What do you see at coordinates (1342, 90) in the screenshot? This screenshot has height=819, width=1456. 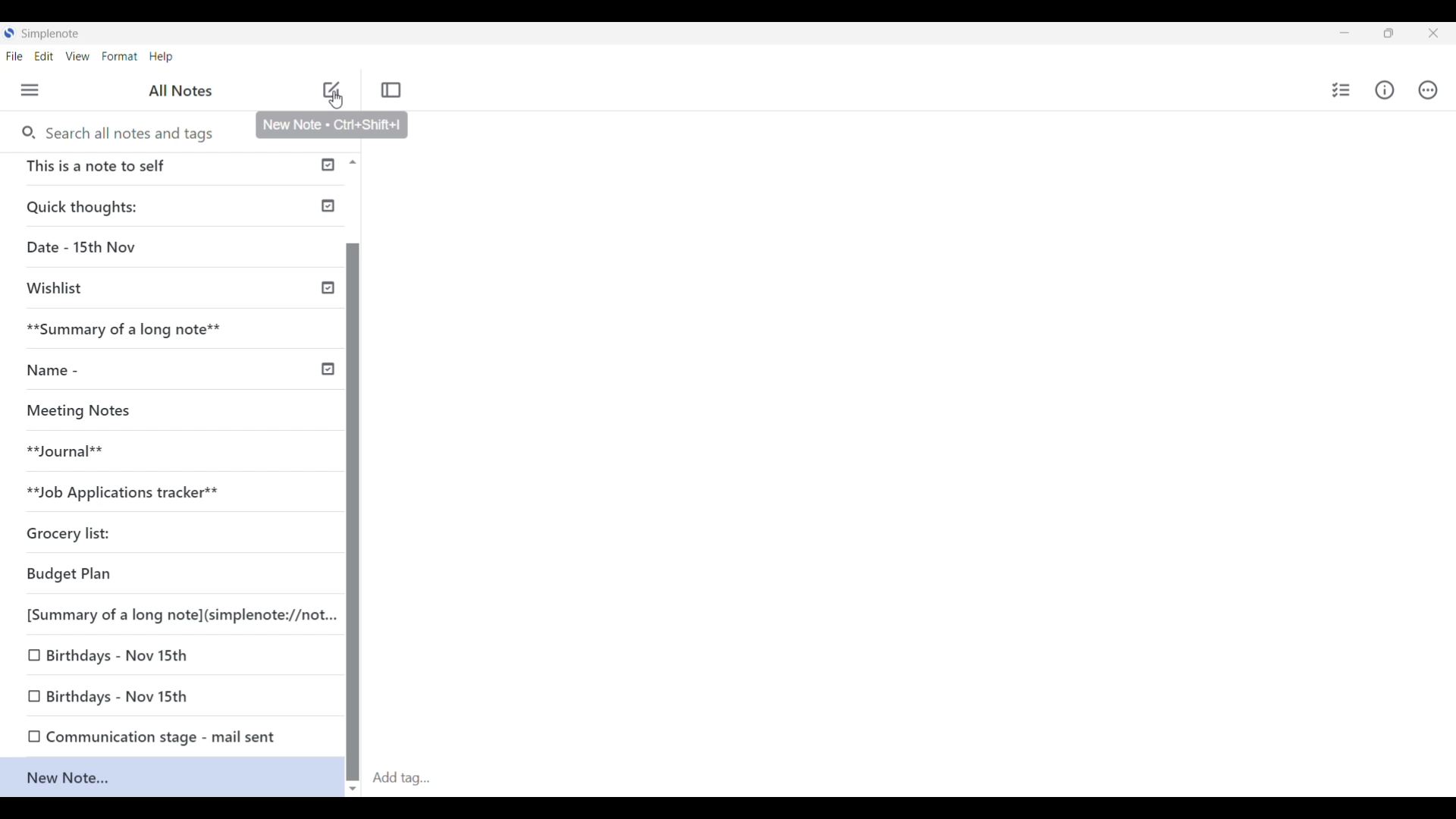 I see `Insert checklist` at bounding box center [1342, 90].